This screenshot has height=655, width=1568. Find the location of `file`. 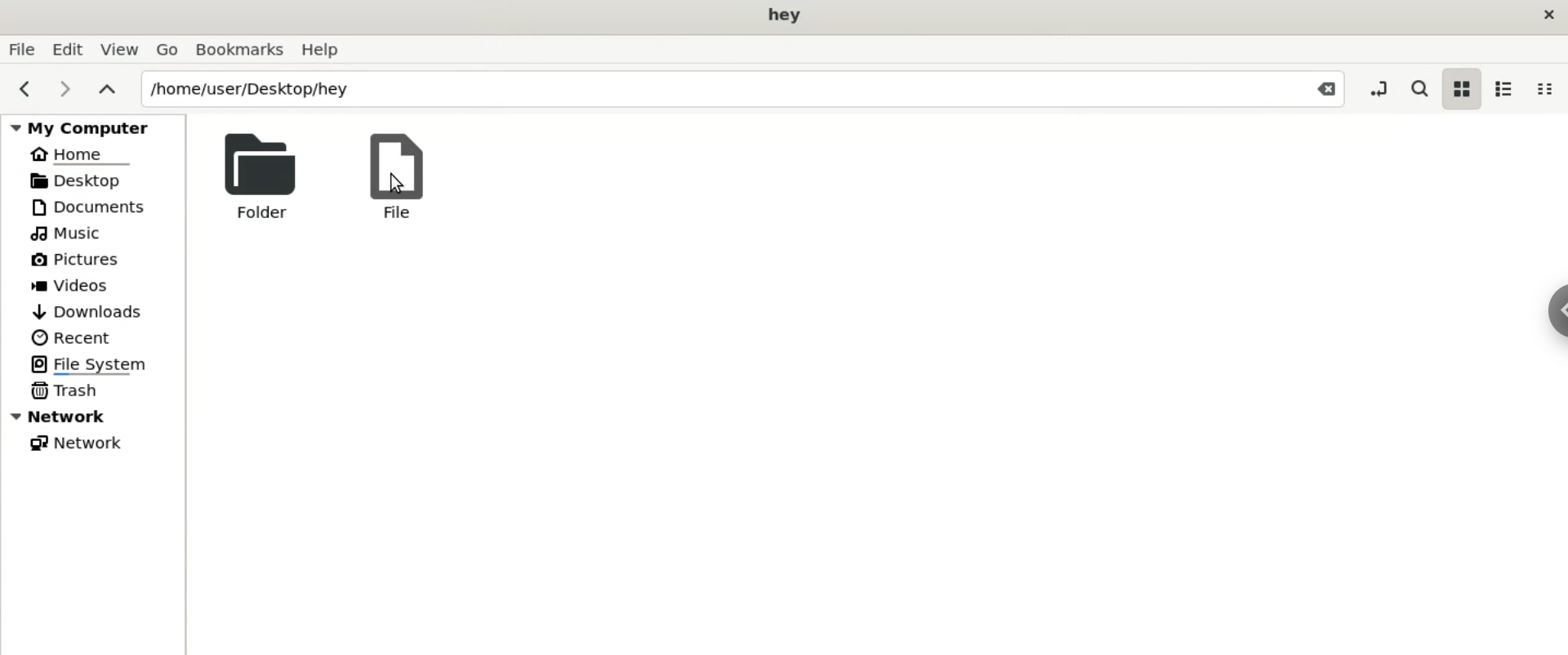

file is located at coordinates (393, 176).